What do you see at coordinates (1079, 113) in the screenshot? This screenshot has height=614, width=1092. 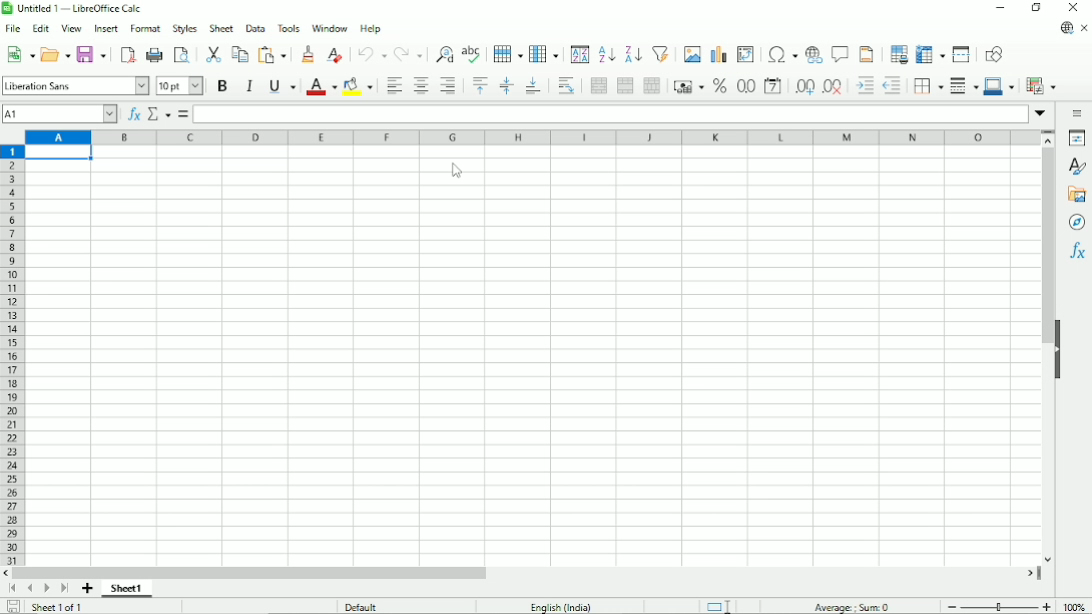 I see `Sidebar settings` at bounding box center [1079, 113].